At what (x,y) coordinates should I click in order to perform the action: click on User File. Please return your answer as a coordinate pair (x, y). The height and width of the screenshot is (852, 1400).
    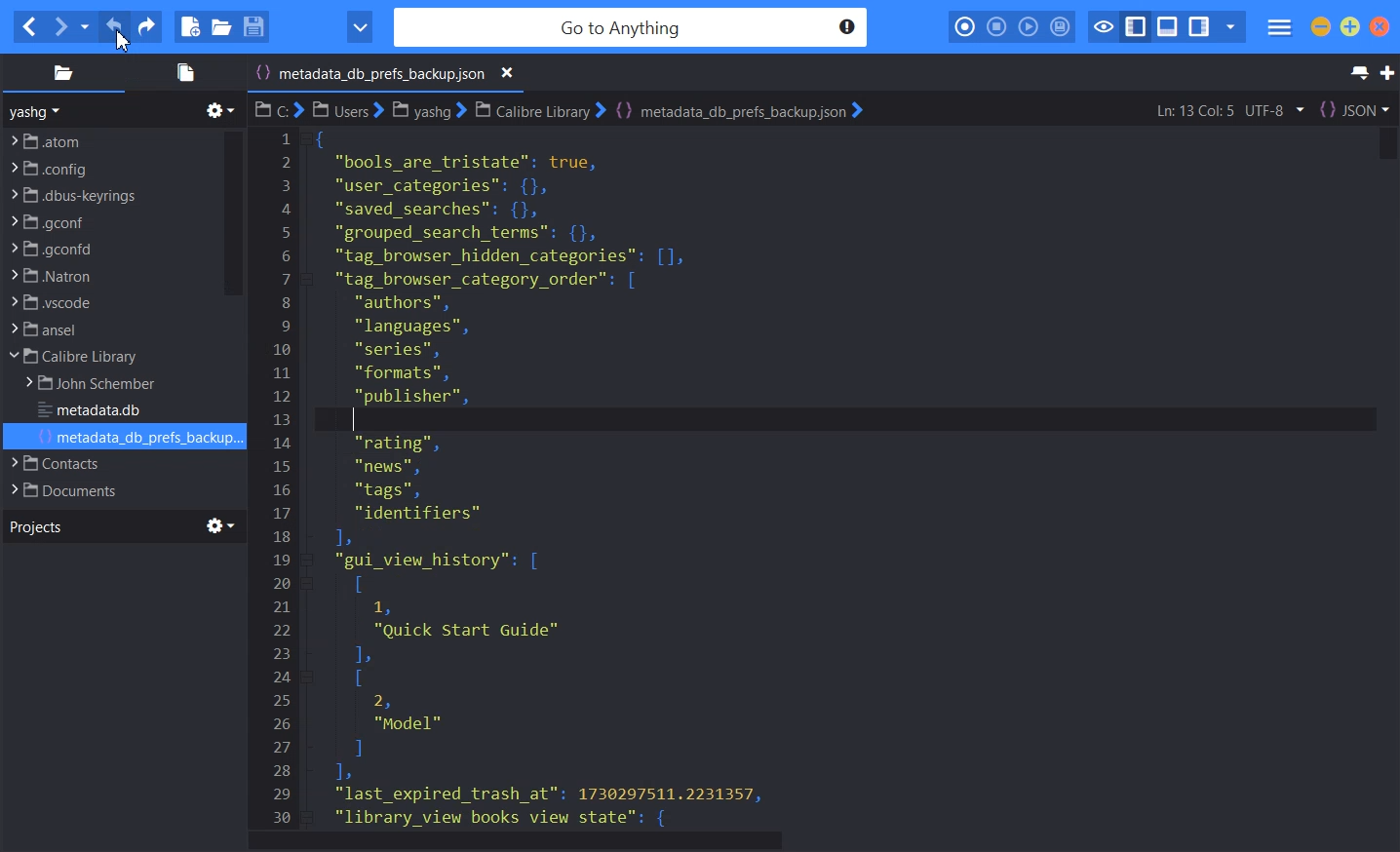
    Looking at the image, I should click on (348, 109).